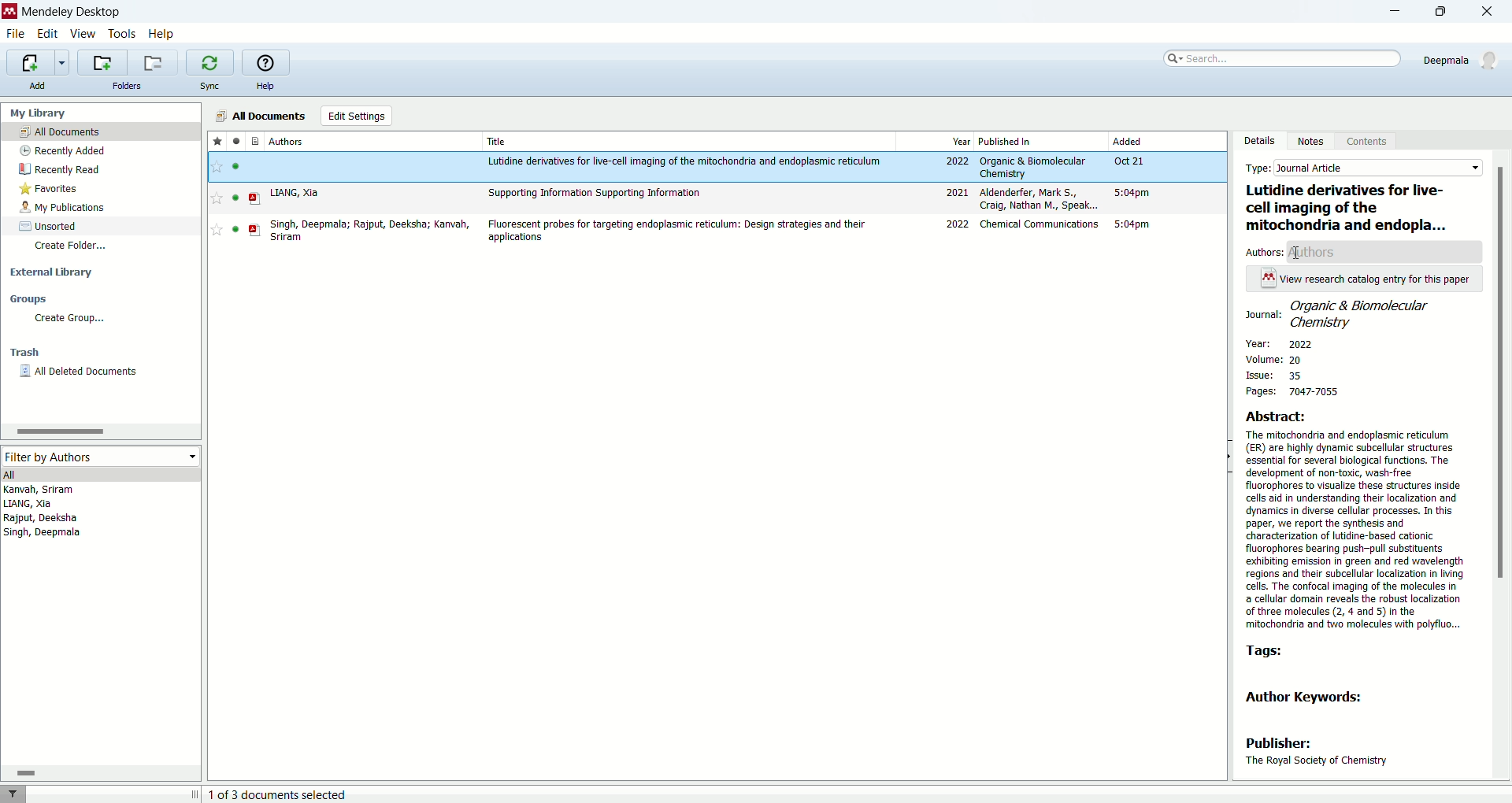 The height and width of the screenshot is (803, 1512). What do you see at coordinates (1447, 12) in the screenshot?
I see `maximize` at bounding box center [1447, 12].